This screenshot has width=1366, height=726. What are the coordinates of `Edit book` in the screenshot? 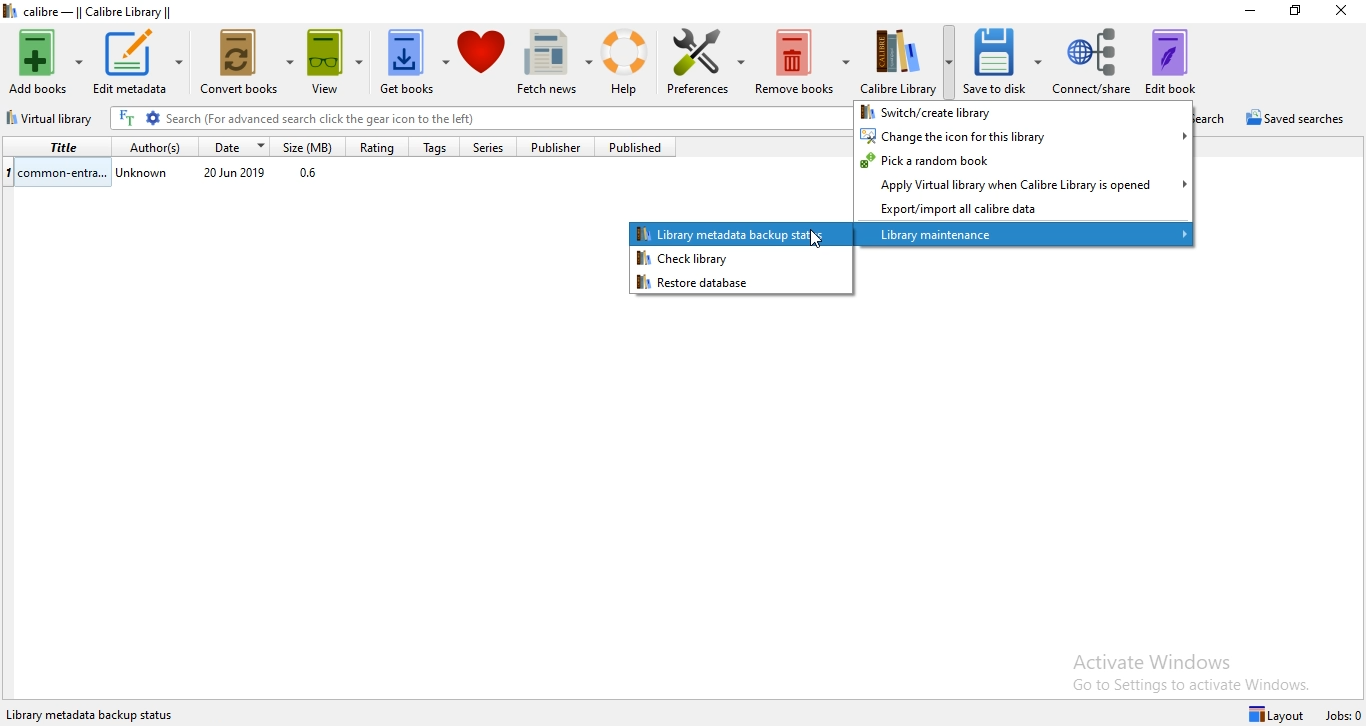 It's located at (1181, 58).